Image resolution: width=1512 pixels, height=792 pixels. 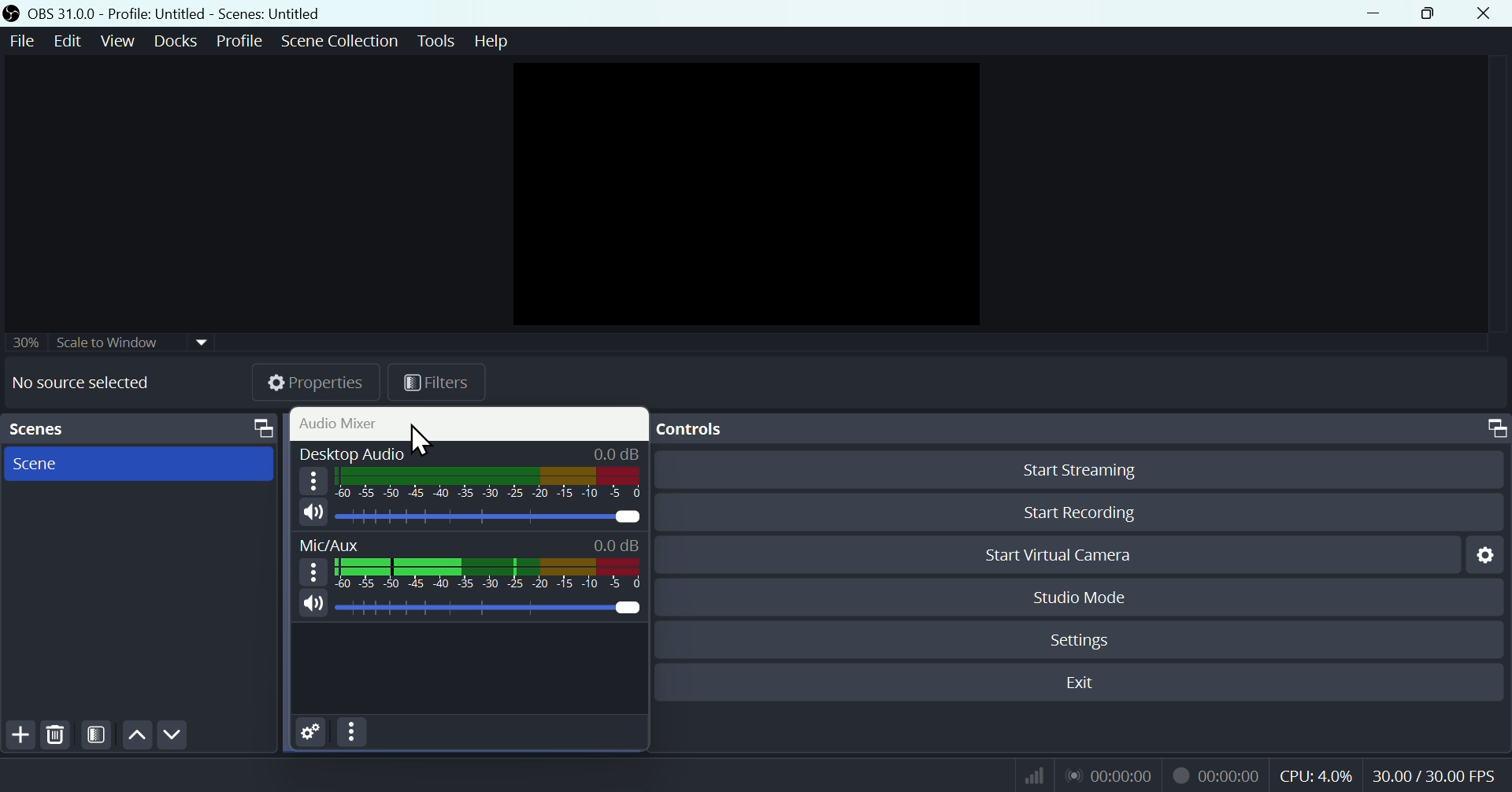 What do you see at coordinates (493, 40) in the screenshot?
I see `help` at bounding box center [493, 40].